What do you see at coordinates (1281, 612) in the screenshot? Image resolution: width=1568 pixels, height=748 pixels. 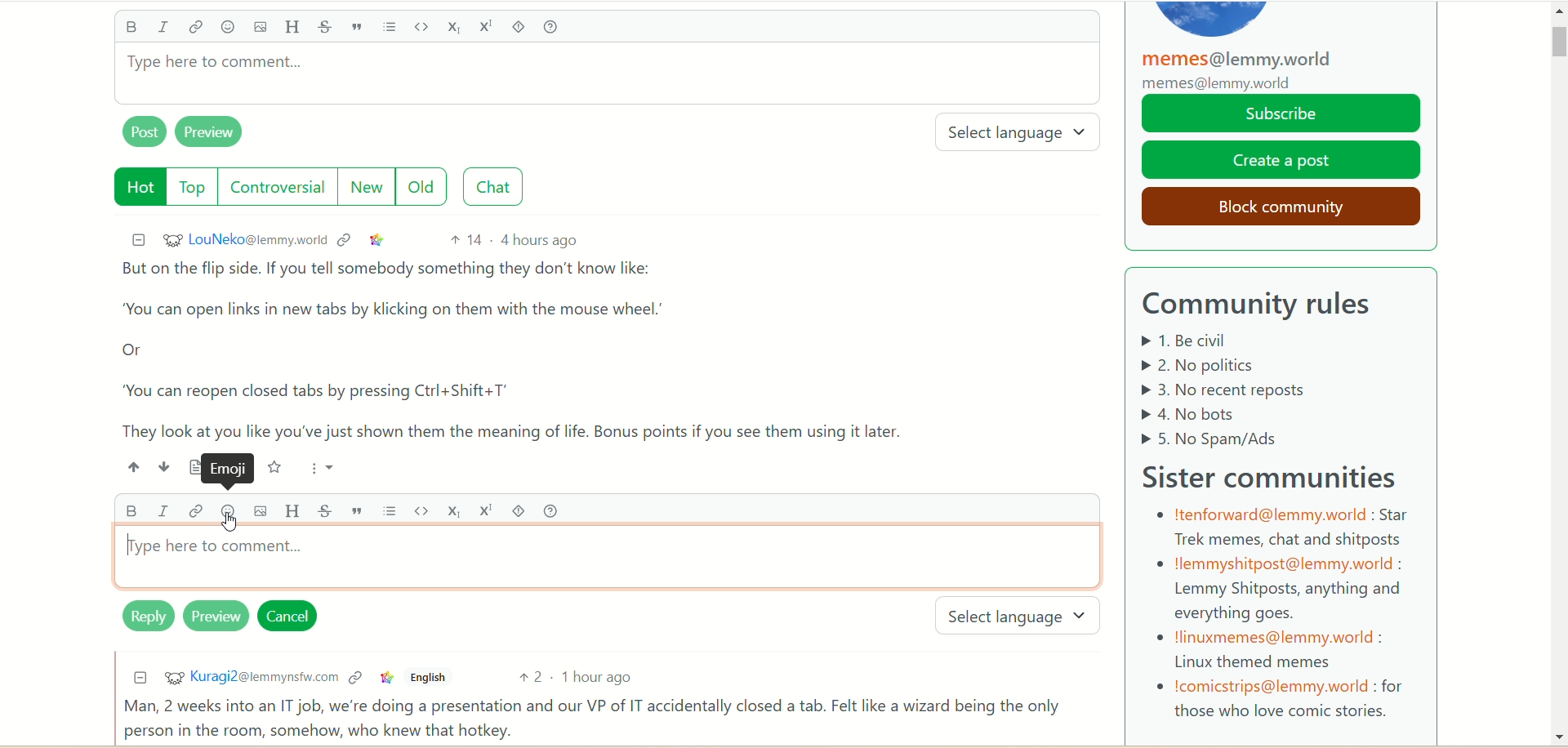 I see `sister communities details` at bounding box center [1281, 612].